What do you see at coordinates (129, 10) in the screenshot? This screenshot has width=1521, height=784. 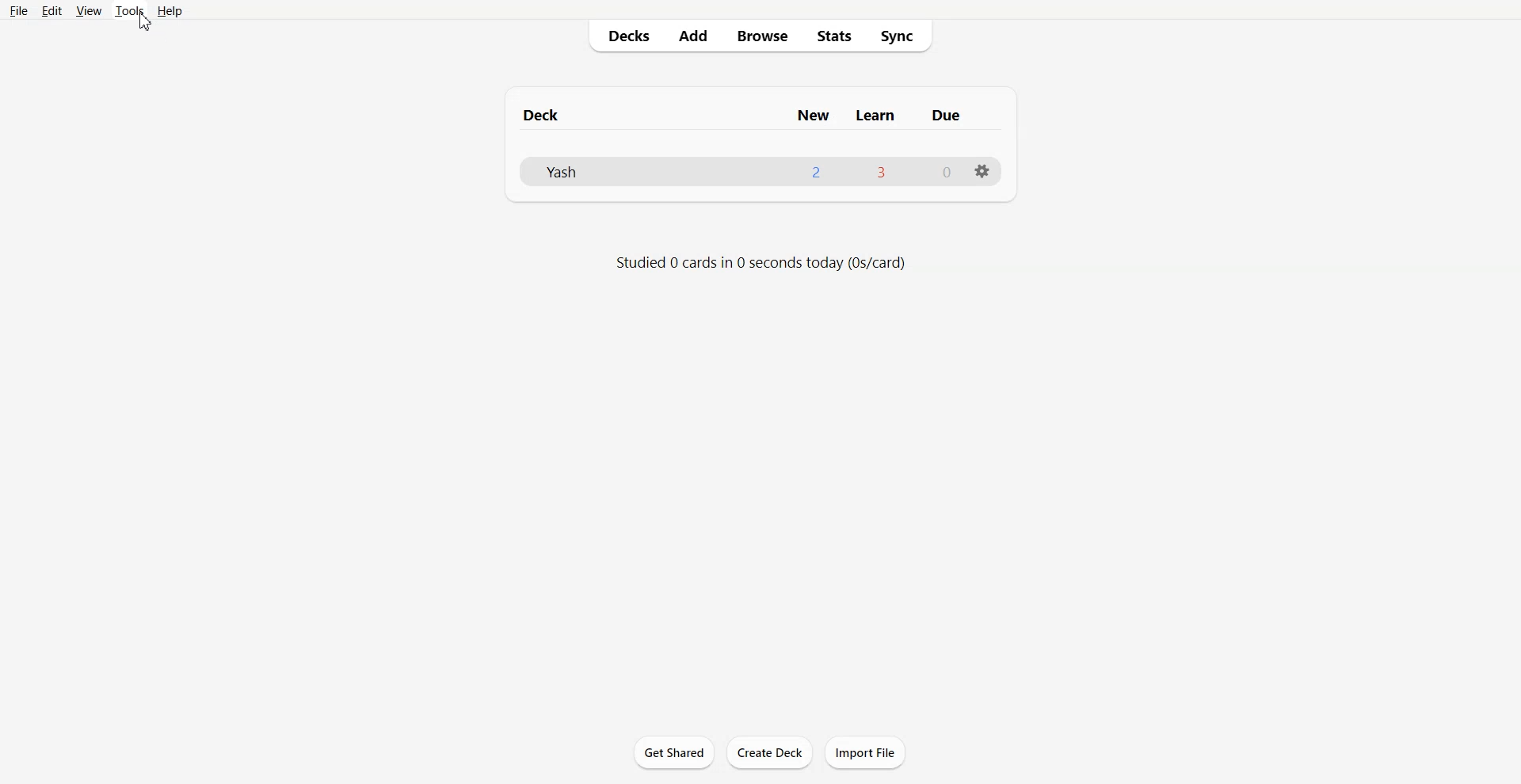 I see `Tools` at bounding box center [129, 10].